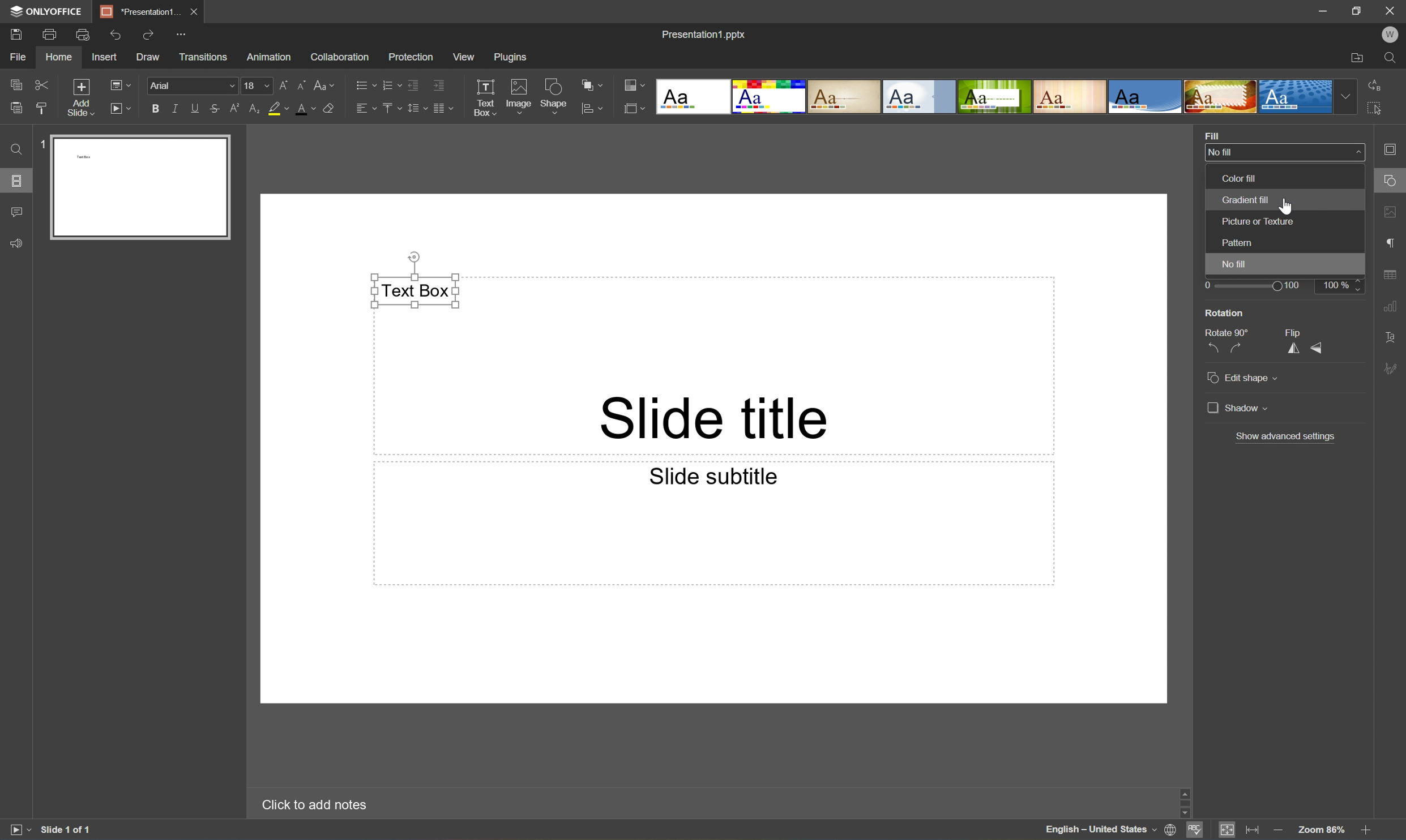 The width and height of the screenshot is (1406, 840). Describe the element at coordinates (1322, 9) in the screenshot. I see `Minimize` at that location.